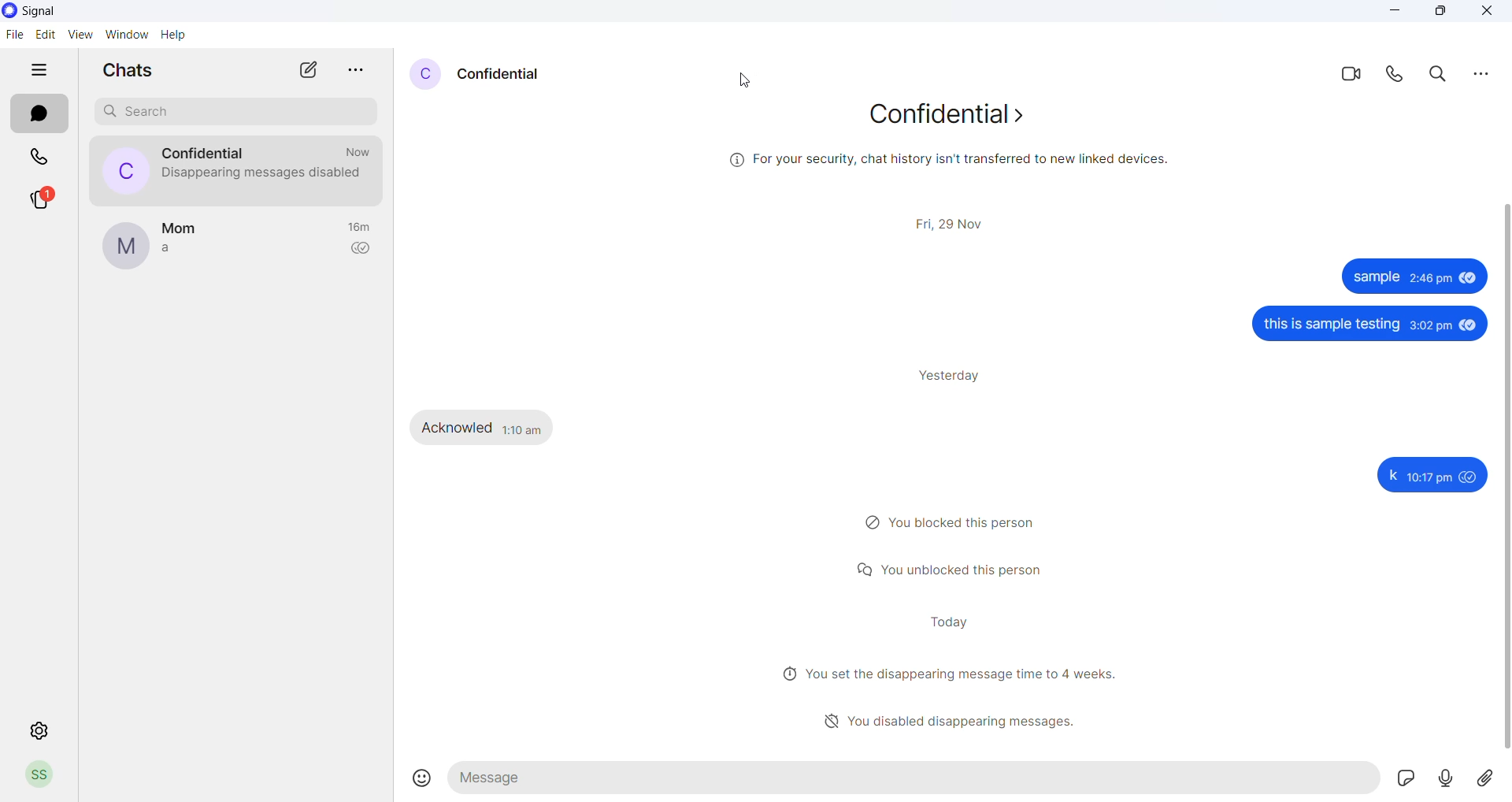 The width and height of the screenshot is (1512, 802). Describe the element at coordinates (947, 570) in the screenshot. I see `` at that location.